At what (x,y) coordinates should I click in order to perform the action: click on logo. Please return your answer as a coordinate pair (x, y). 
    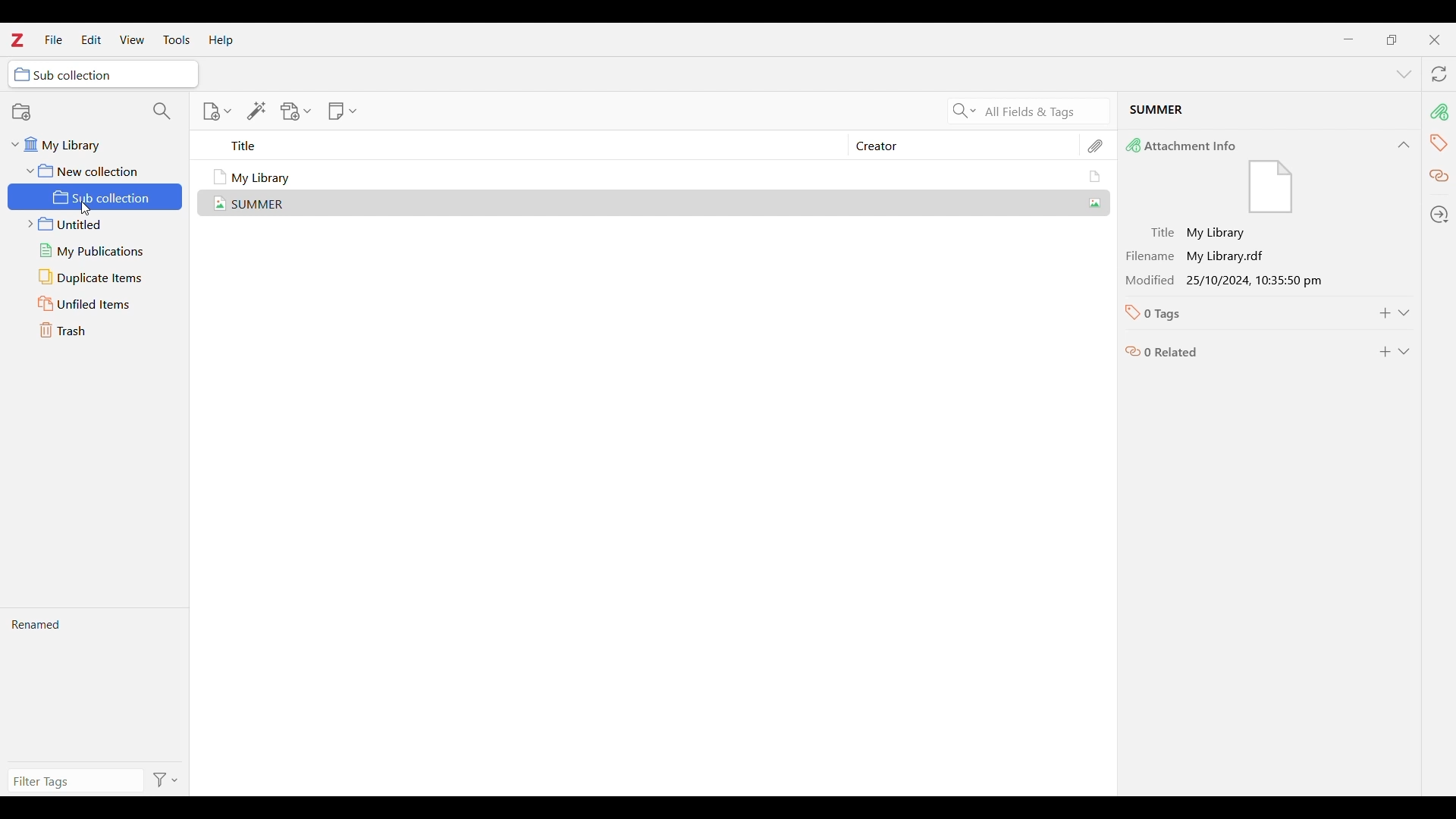
    Looking at the image, I should click on (17, 39).